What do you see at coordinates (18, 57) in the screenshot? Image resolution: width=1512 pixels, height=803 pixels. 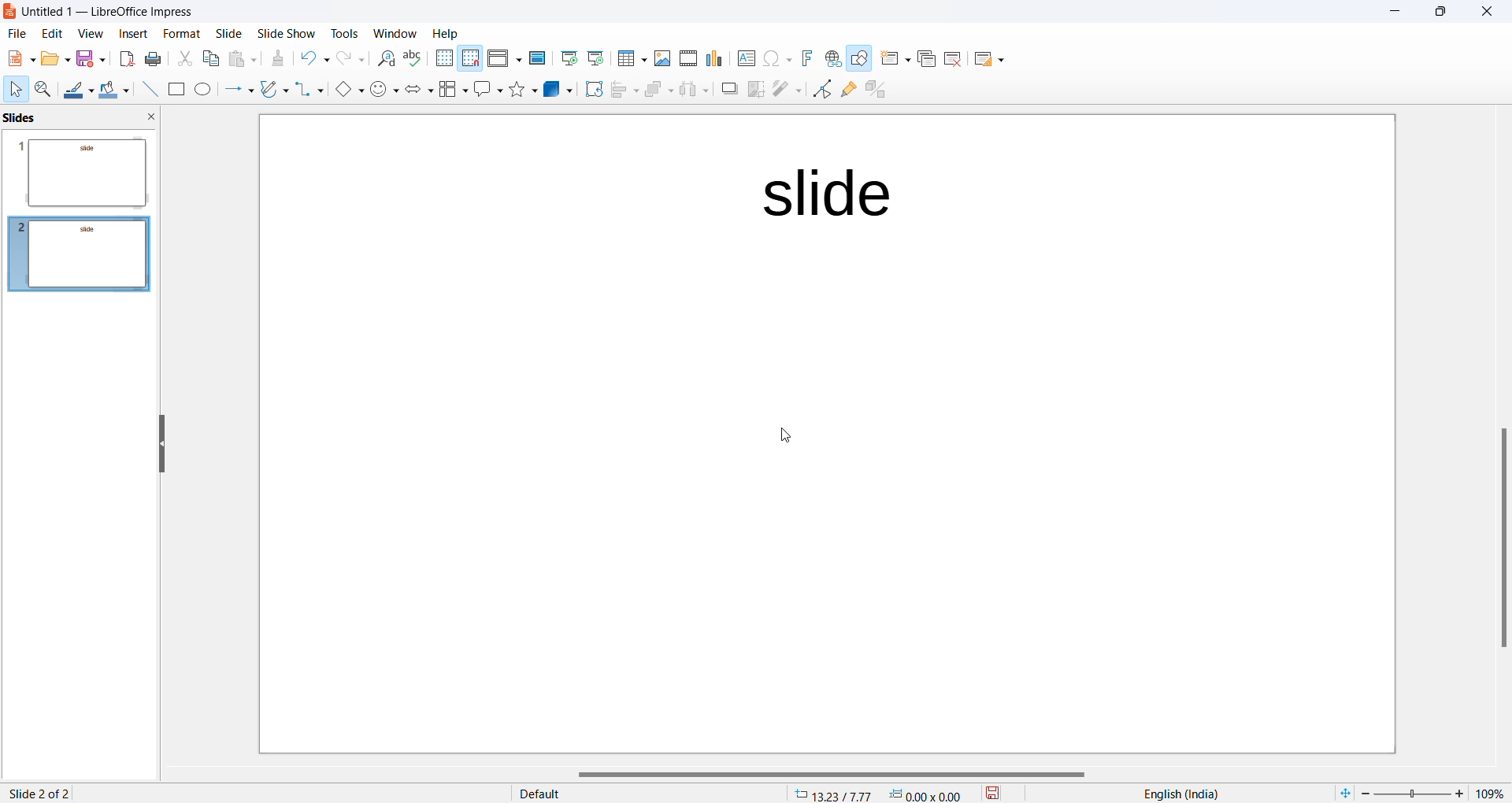 I see `New file` at bounding box center [18, 57].